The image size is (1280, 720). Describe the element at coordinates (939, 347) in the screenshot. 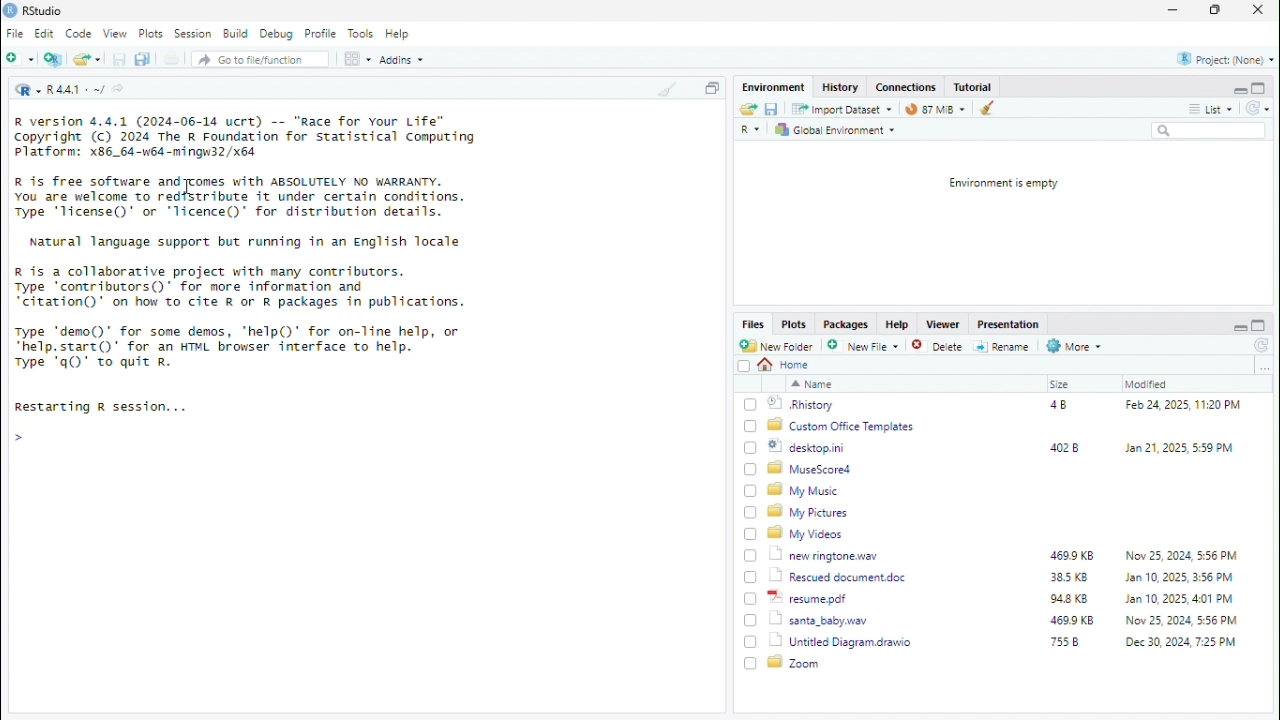

I see `Delete` at that location.